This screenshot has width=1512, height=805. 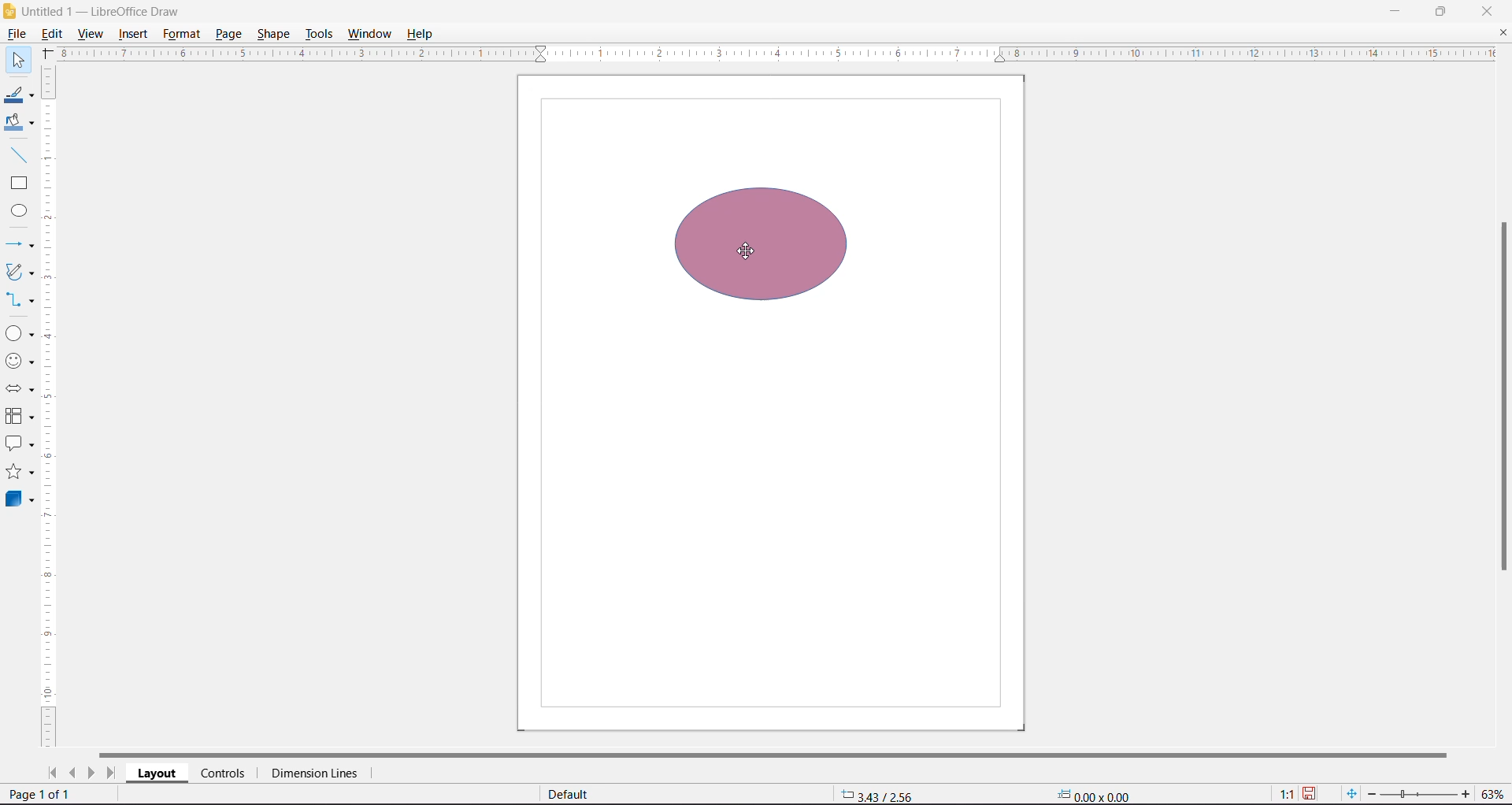 I want to click on Vertical Scroll Bar, so click(x=1503, y=399).